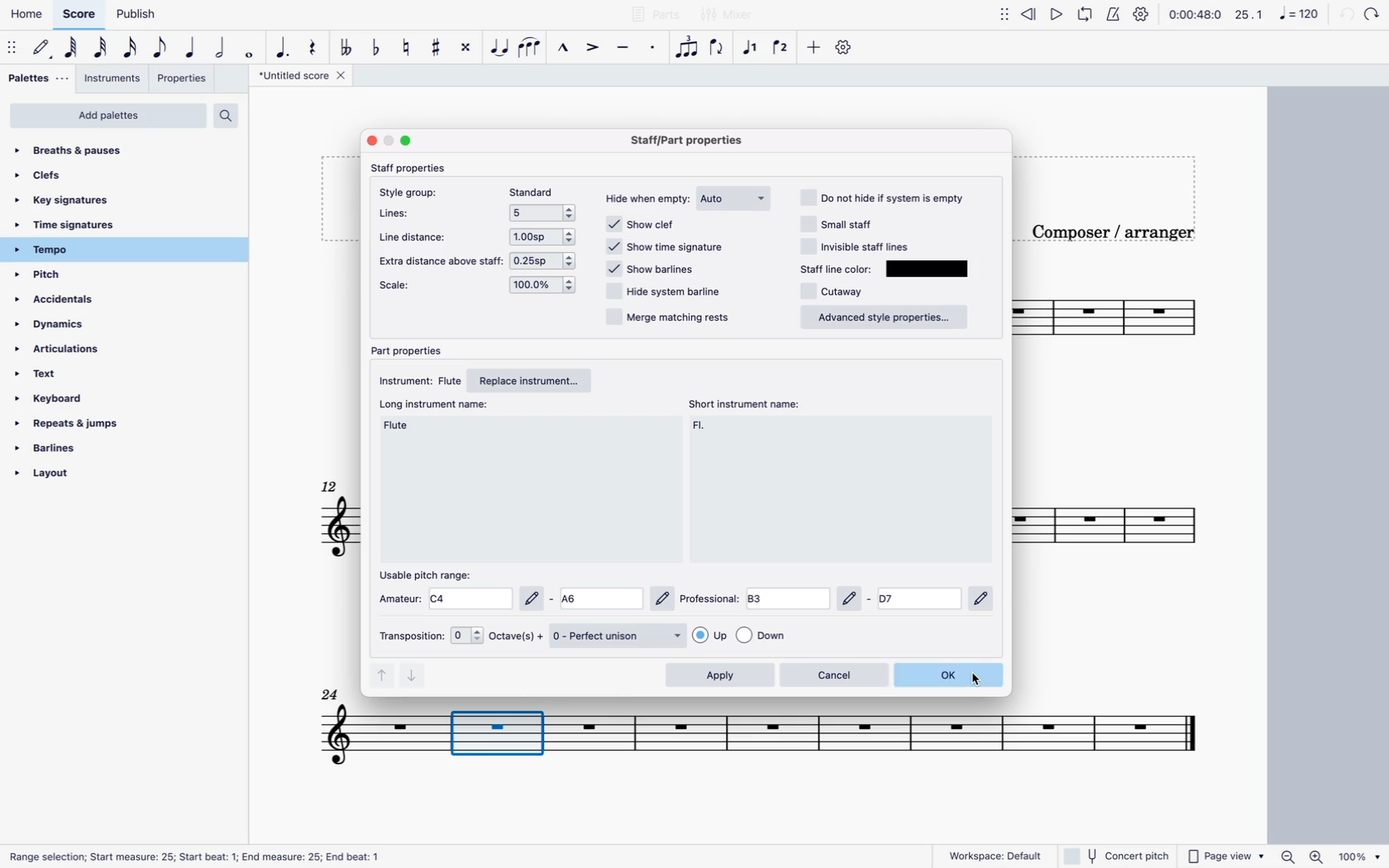 Image resolution: width=1389 pixels, height=868 pixels. What do you see at coordinates (736, 198) in the screenshot?
I see `auto` at bounding box center [736, 198].